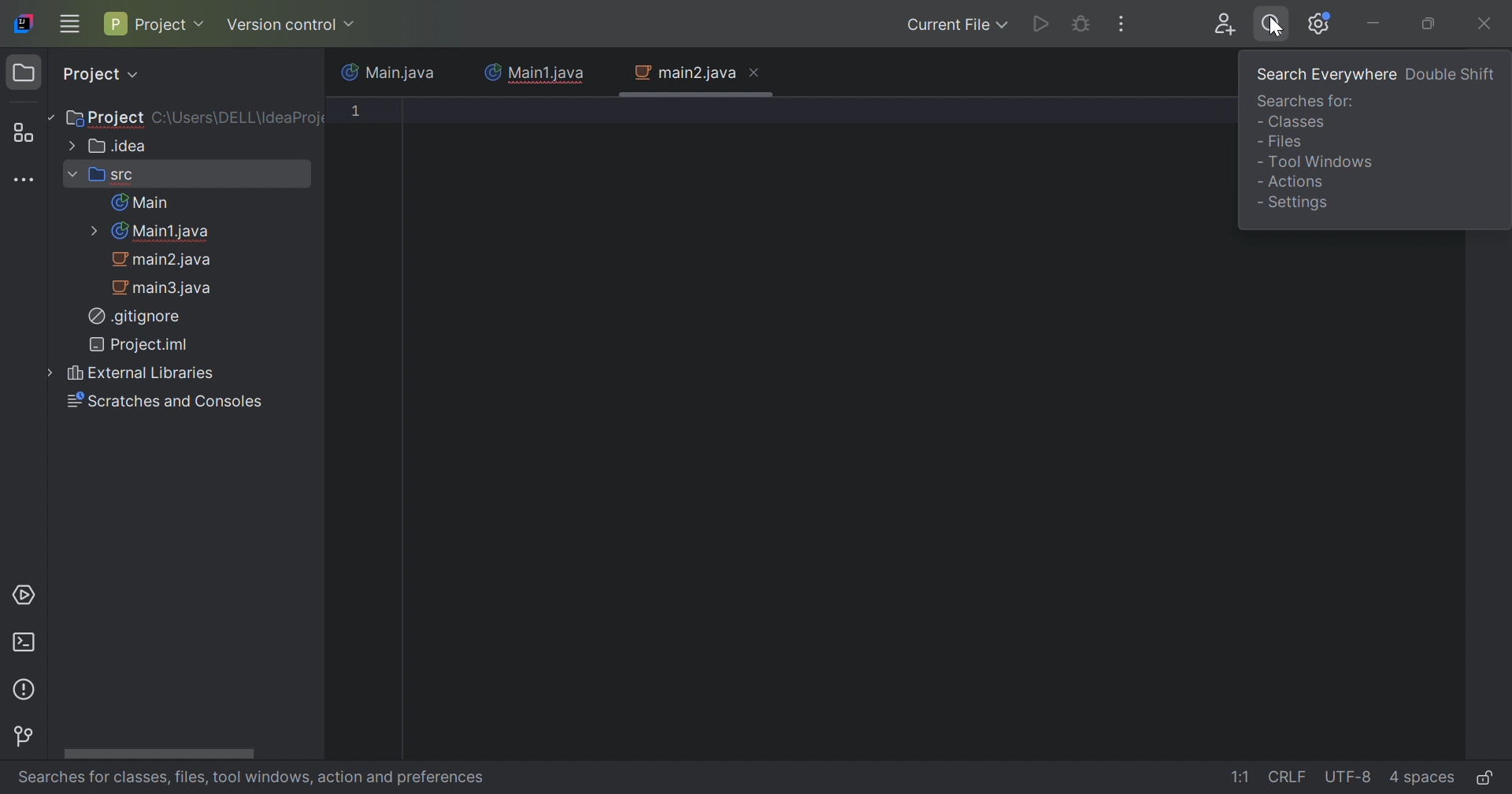  What do you see at coordinates (1421, 778) in the screenshot?
I see `4 spaces` at bounding box center [1421, 778].